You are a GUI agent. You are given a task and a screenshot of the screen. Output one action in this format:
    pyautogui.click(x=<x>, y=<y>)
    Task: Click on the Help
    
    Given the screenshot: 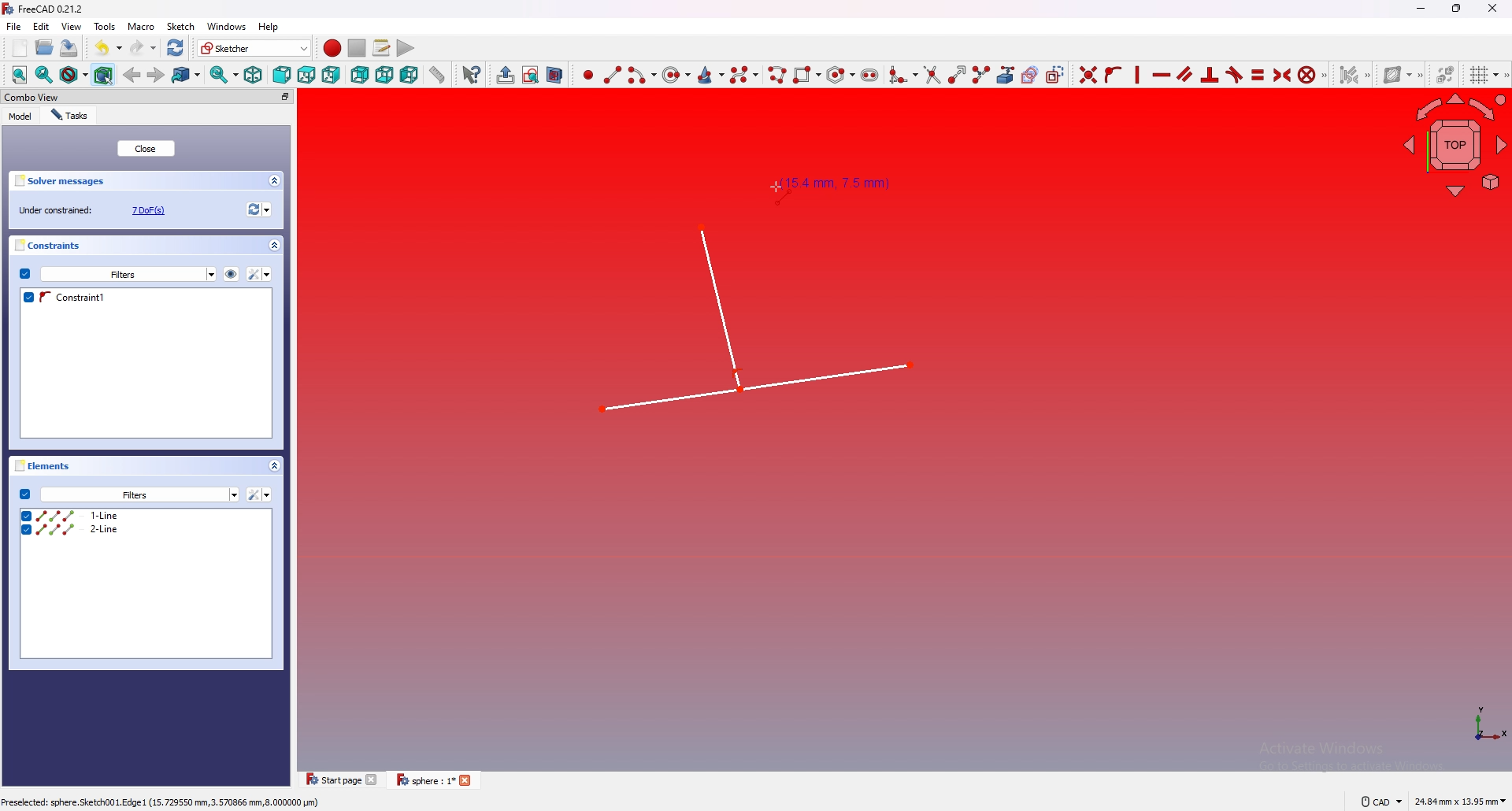 What is the action you would take?
    pyautogui.click(x=269, y=27)
    